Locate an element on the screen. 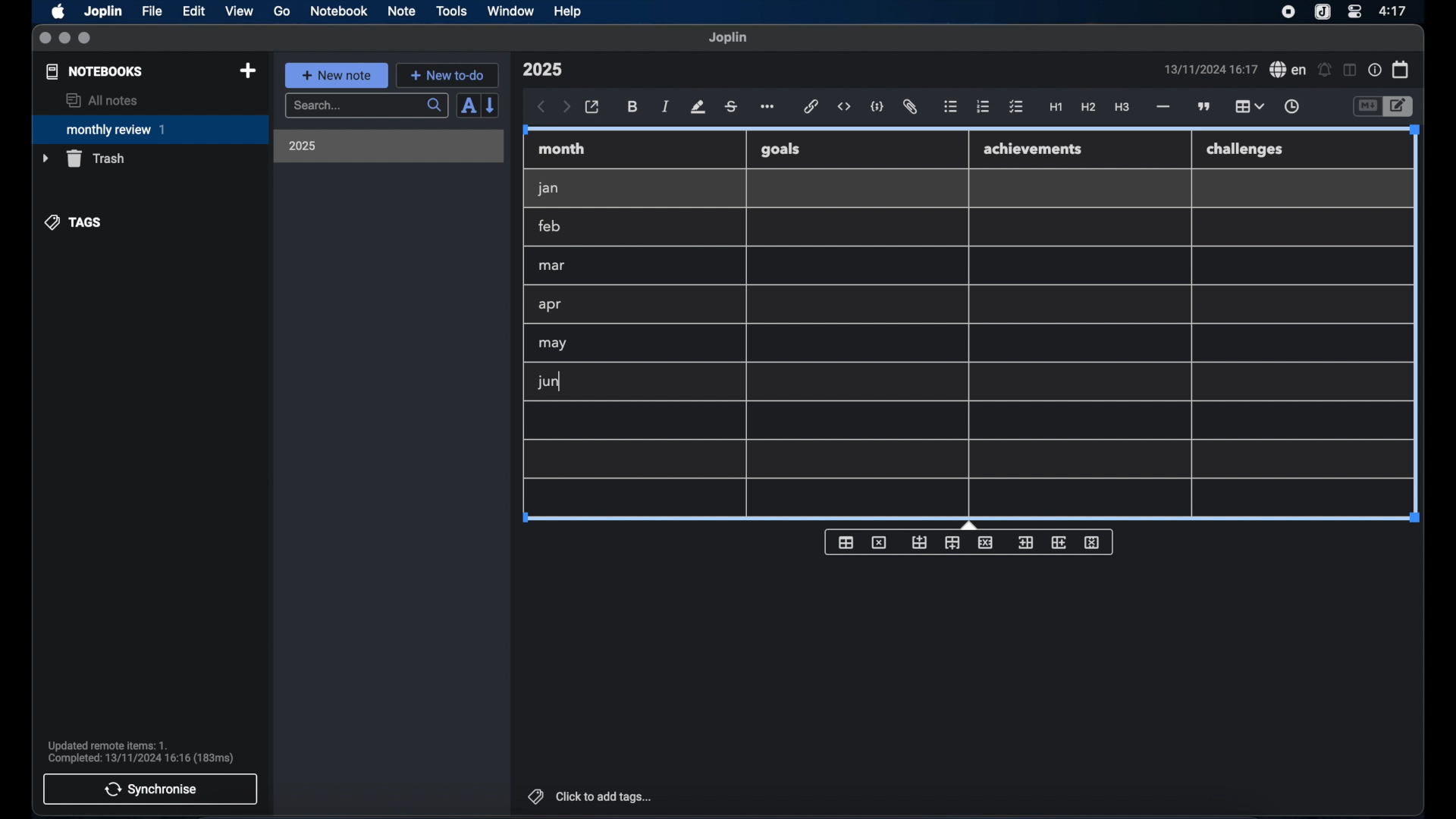 This screenshot has height=819, width=1456. file is located at coordinates (152, 11).